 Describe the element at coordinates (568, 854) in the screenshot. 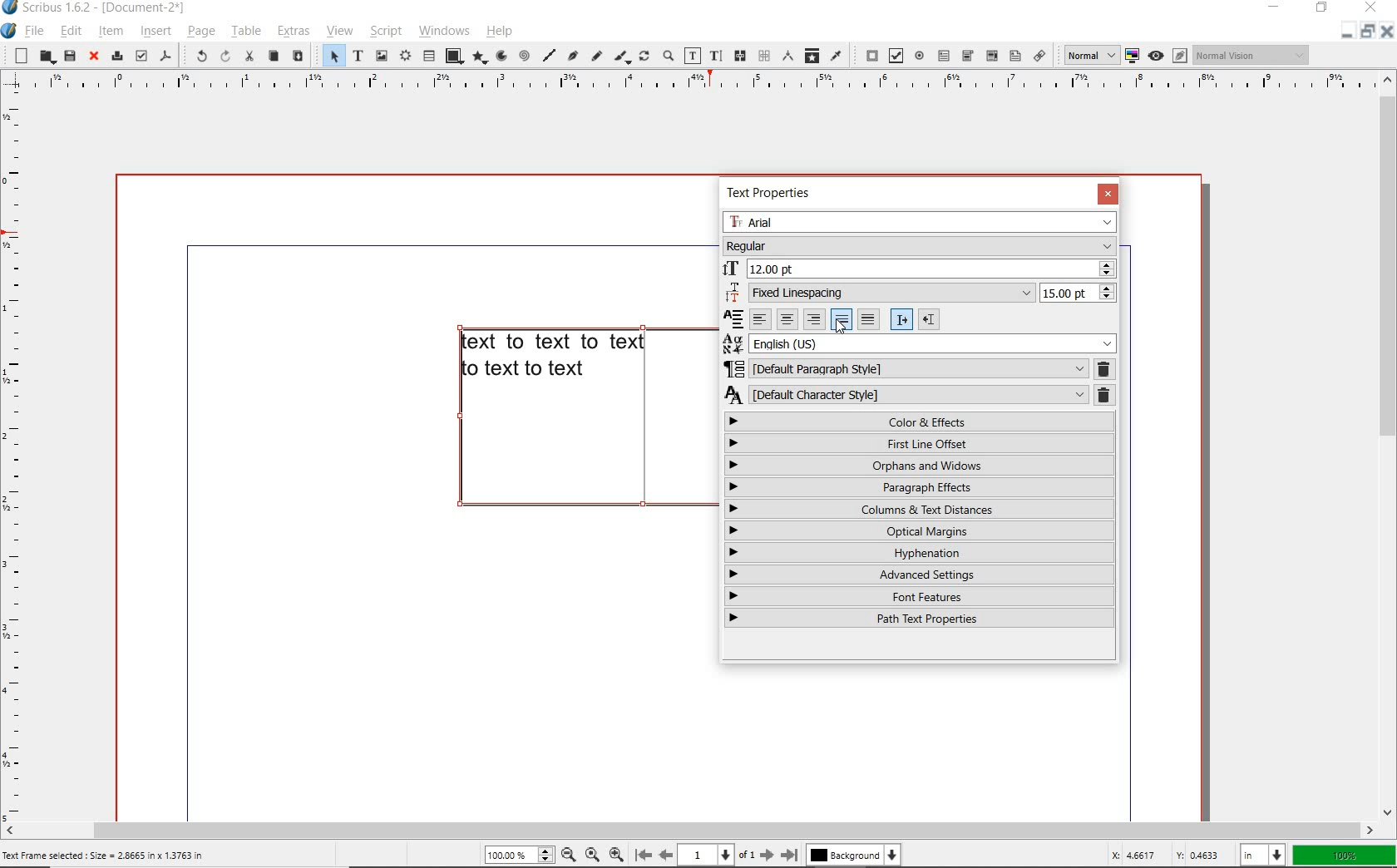

I see `zoom out` at that location.